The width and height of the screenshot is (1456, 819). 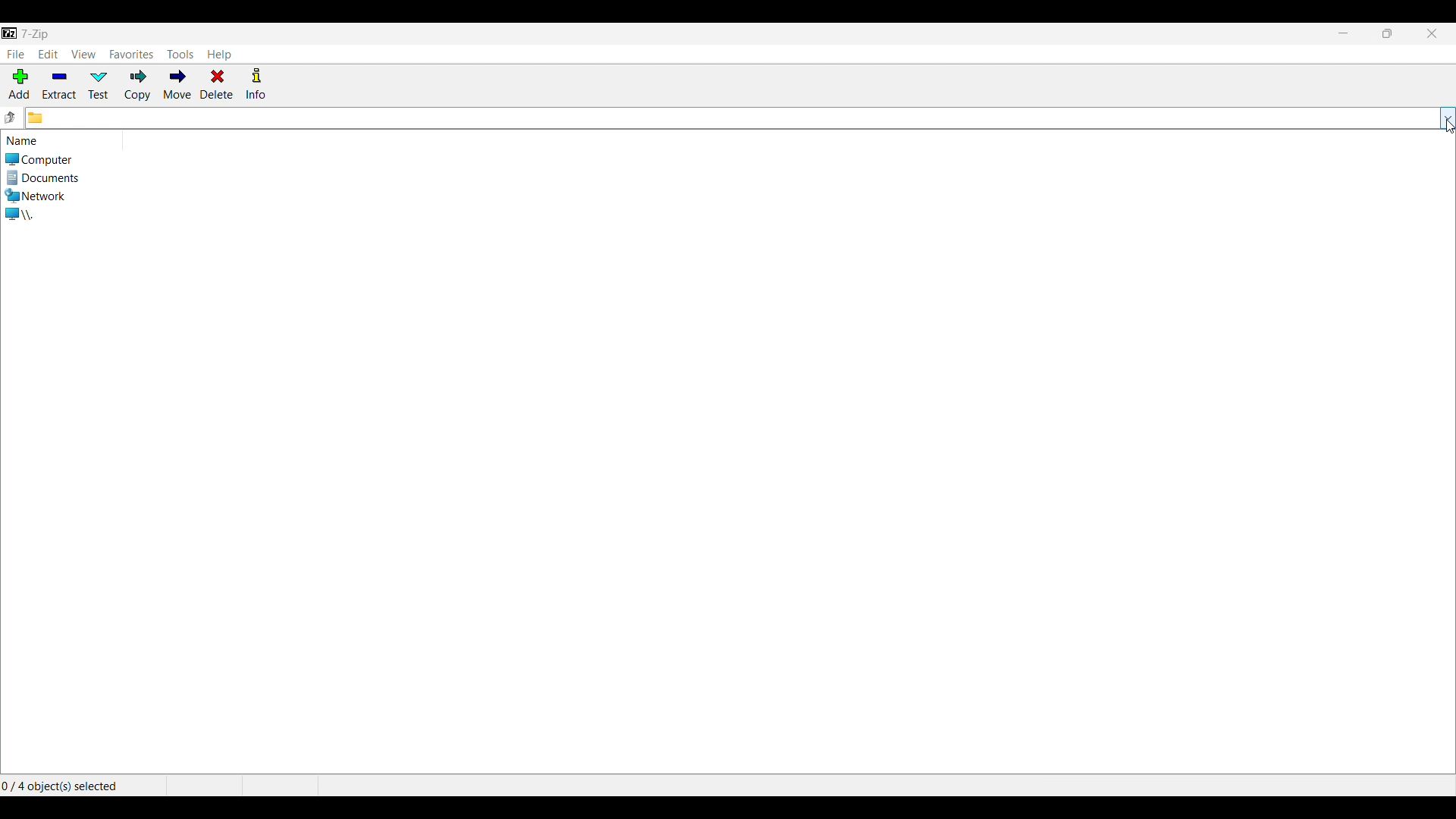 What do you see at coordinates (1388, 33) in the screenshot?
I see `Show interface in a smaller tab` at bounding box center [1388, 33].